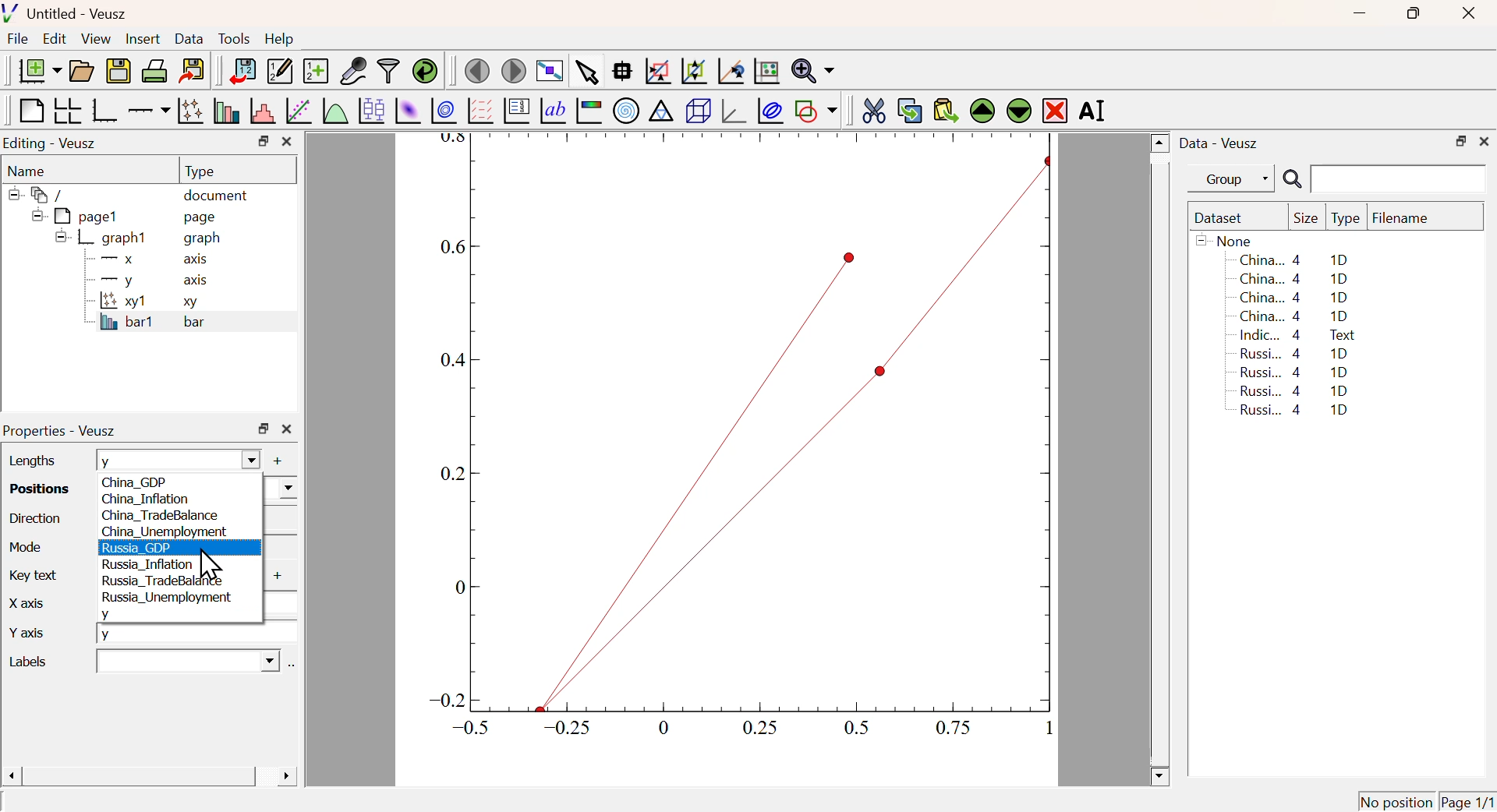 The height and width of the screenshot is (812, 1497). What do you see at coordinates (425, 69) in the screenshot?
I see `Reload linked dataset` at bounding box center [425, 69].